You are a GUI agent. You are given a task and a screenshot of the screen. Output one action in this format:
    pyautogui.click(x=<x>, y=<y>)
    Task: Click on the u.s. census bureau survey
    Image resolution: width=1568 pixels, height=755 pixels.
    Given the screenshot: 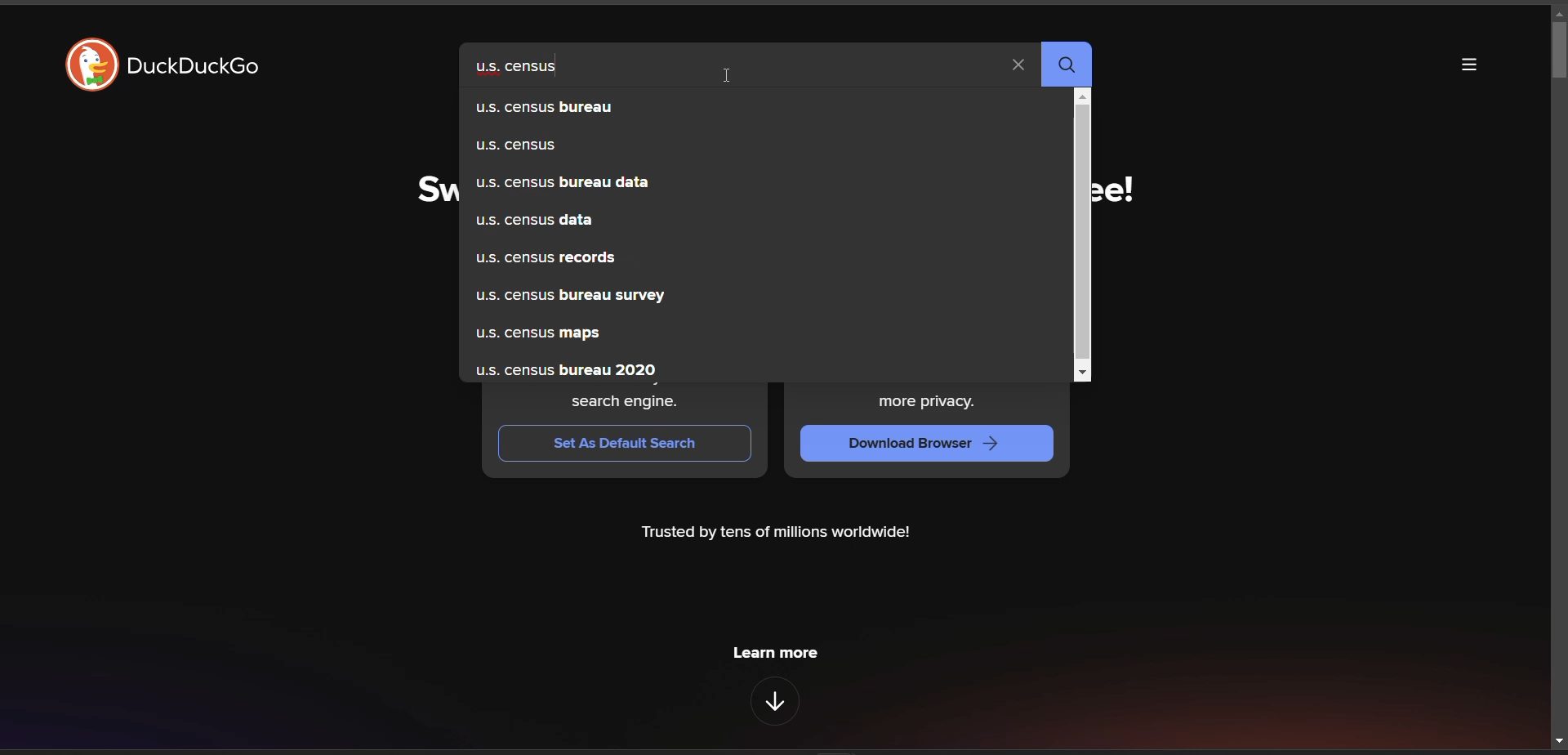 What is the action you would take?
    pyautogui.click(x=752, y=297)
    